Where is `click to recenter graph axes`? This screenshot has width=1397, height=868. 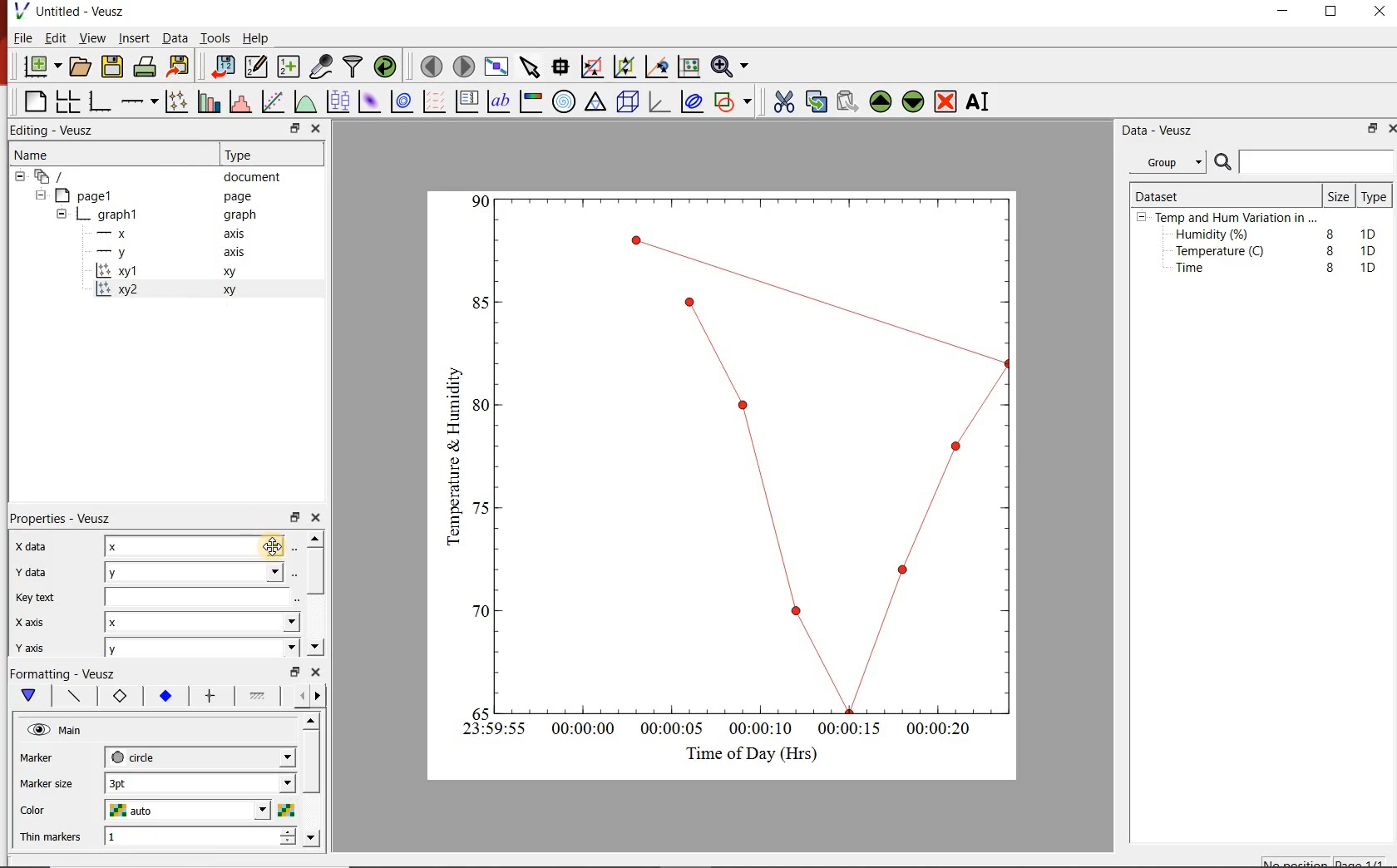
click to recenter graph axes is located at coordinates (657, 67).